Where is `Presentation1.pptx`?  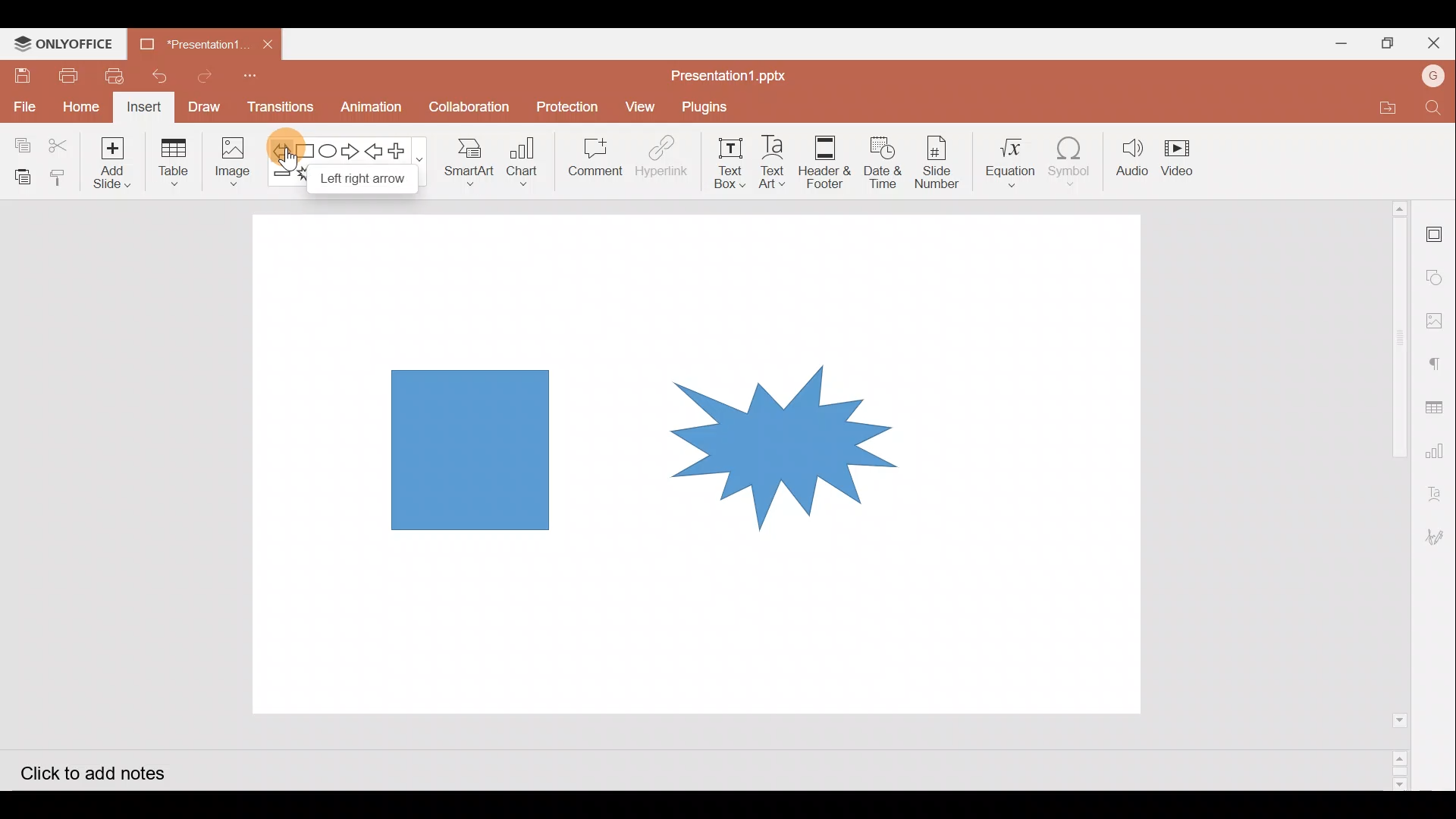
Presentation1.pptx is located at coordinates (725, 74).